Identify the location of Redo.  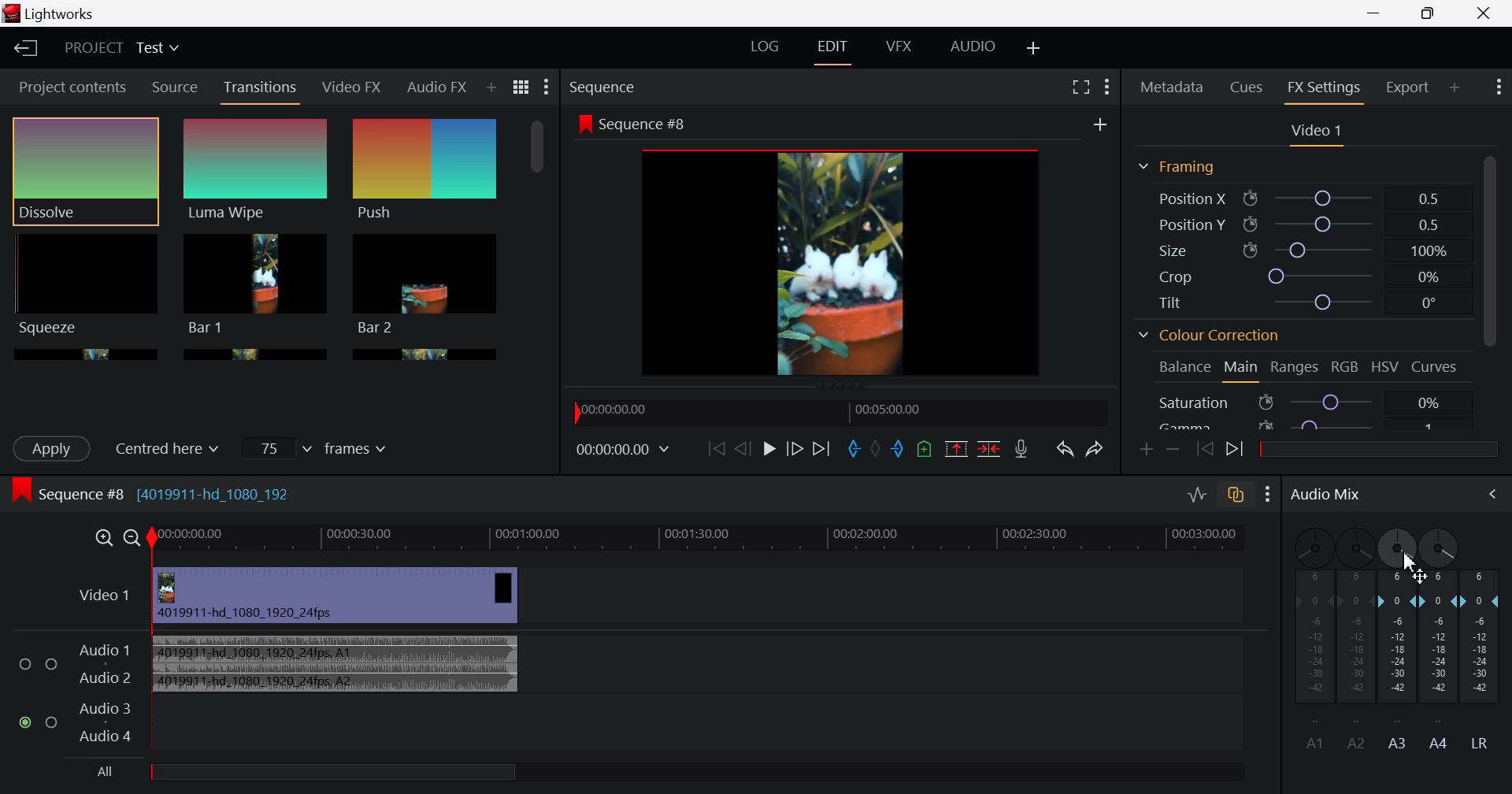
(1096, 451).